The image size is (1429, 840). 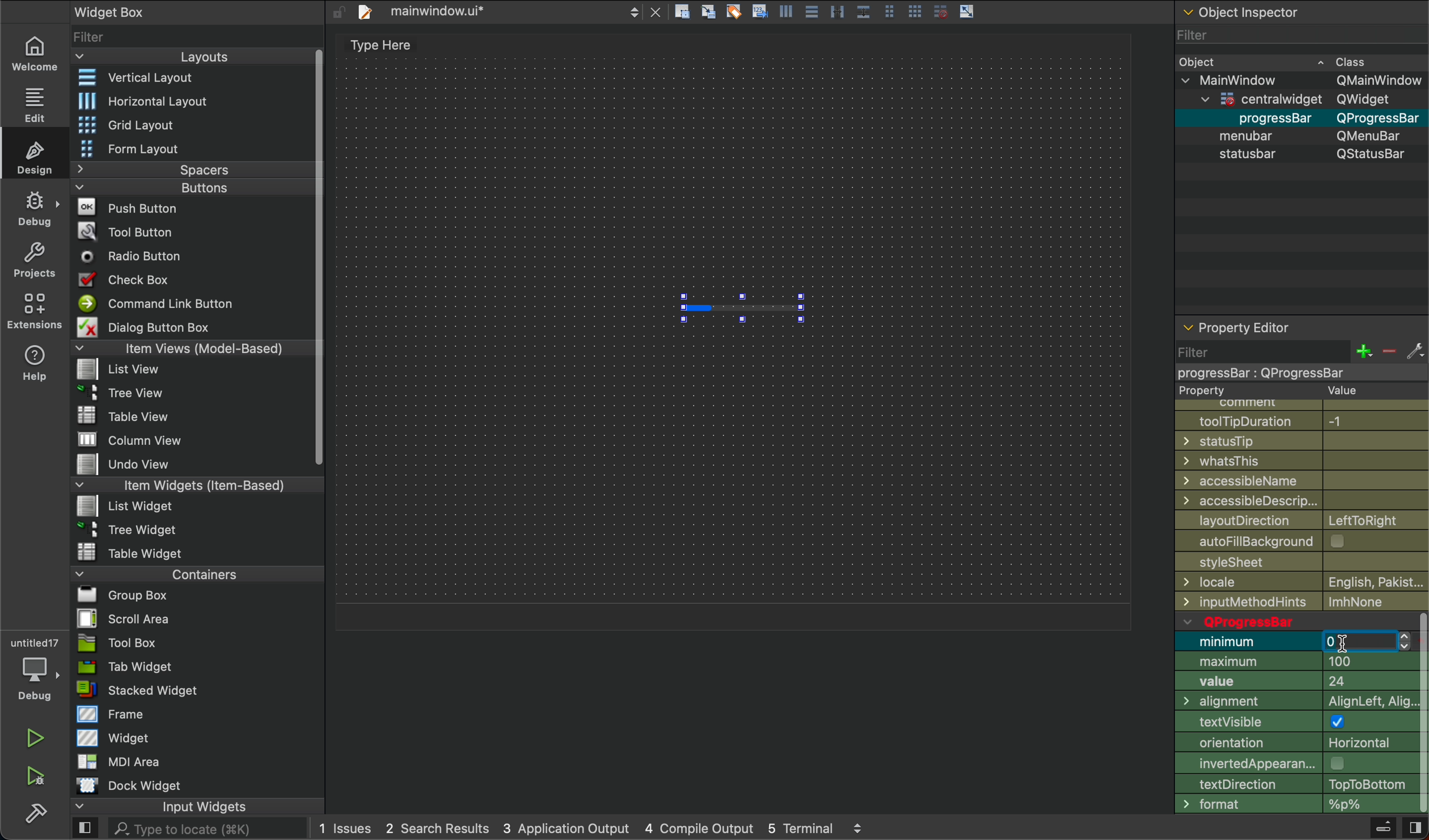 What do you see at coordinates (338, 12) in the screenshot?
I see `unlock` at bounding box center [338, 12].